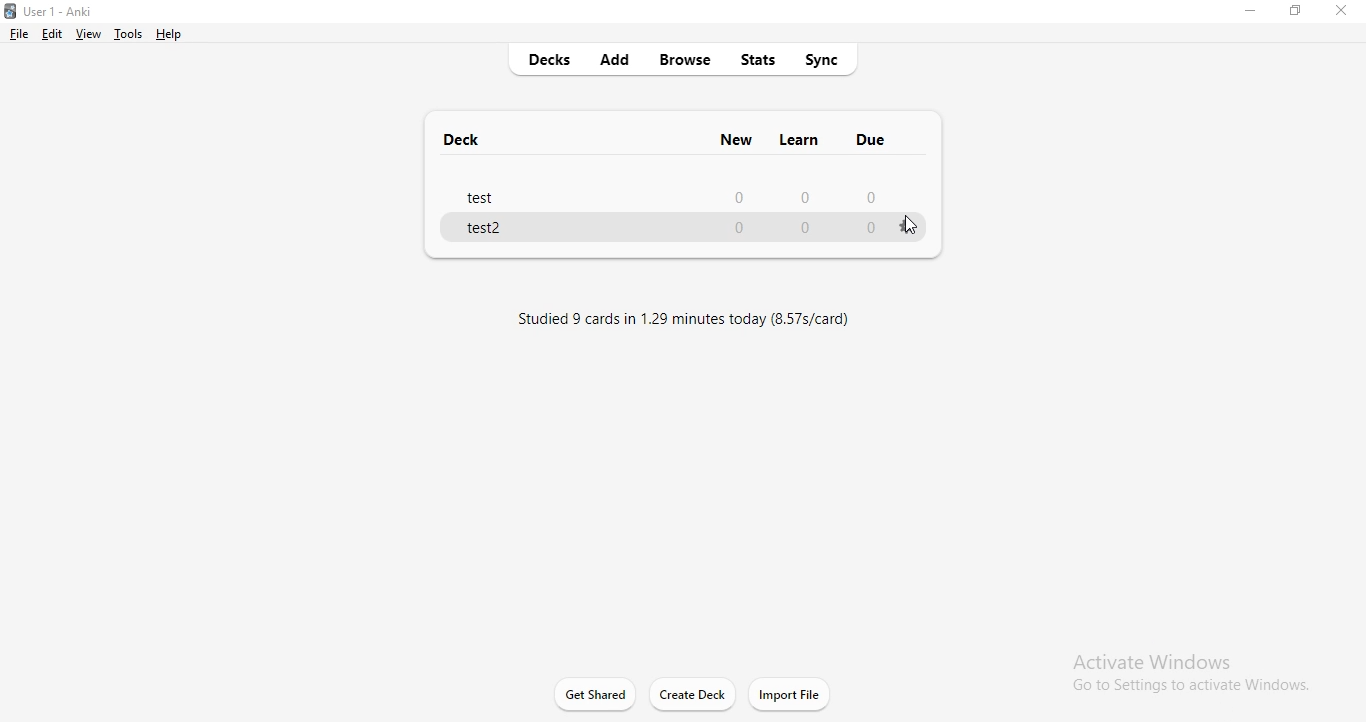  I want to click on 0, so click(809, 229).